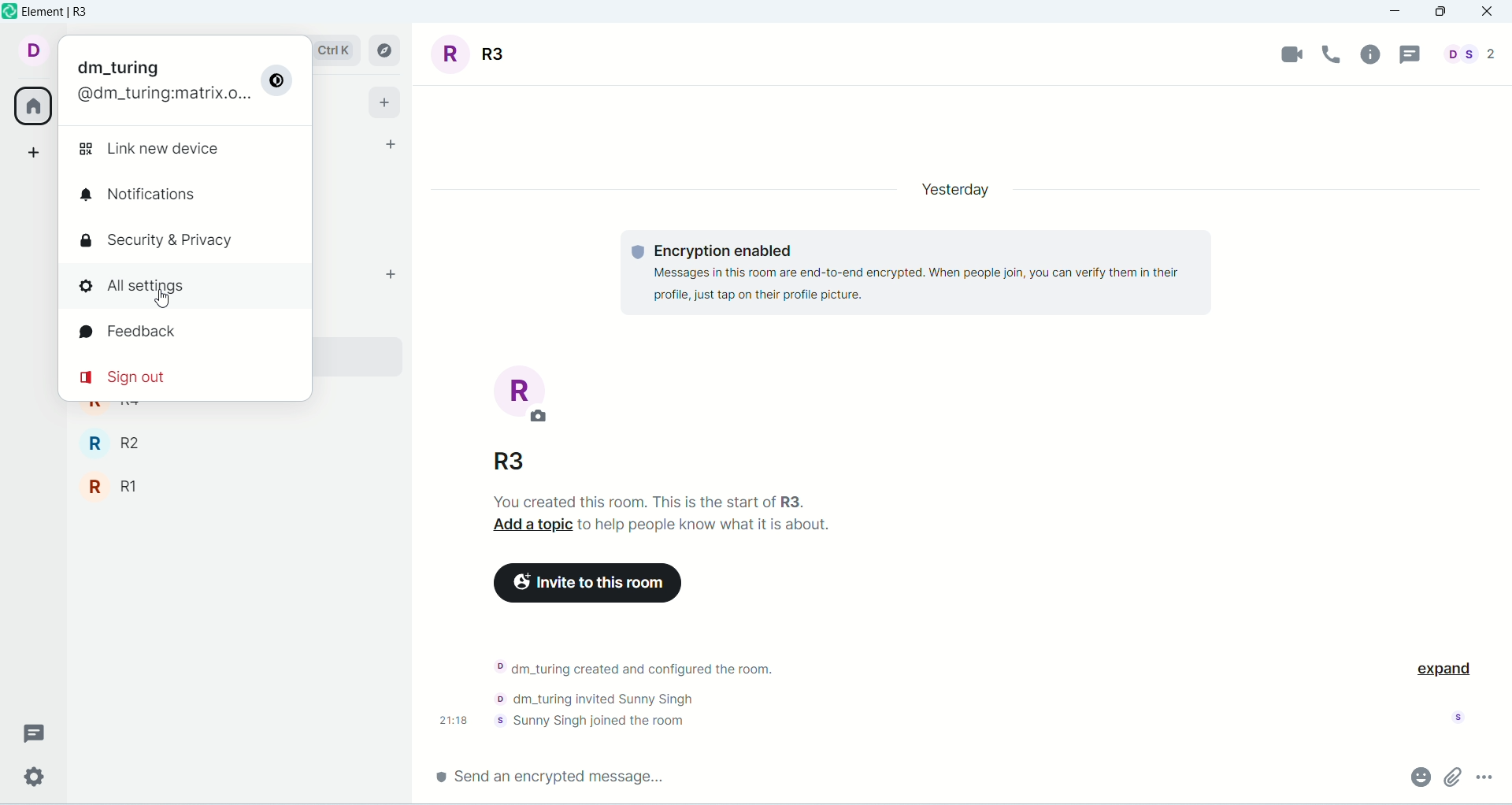  Describe the element at coordinates (59, 13) in the screenshot. I see `element` at that location.